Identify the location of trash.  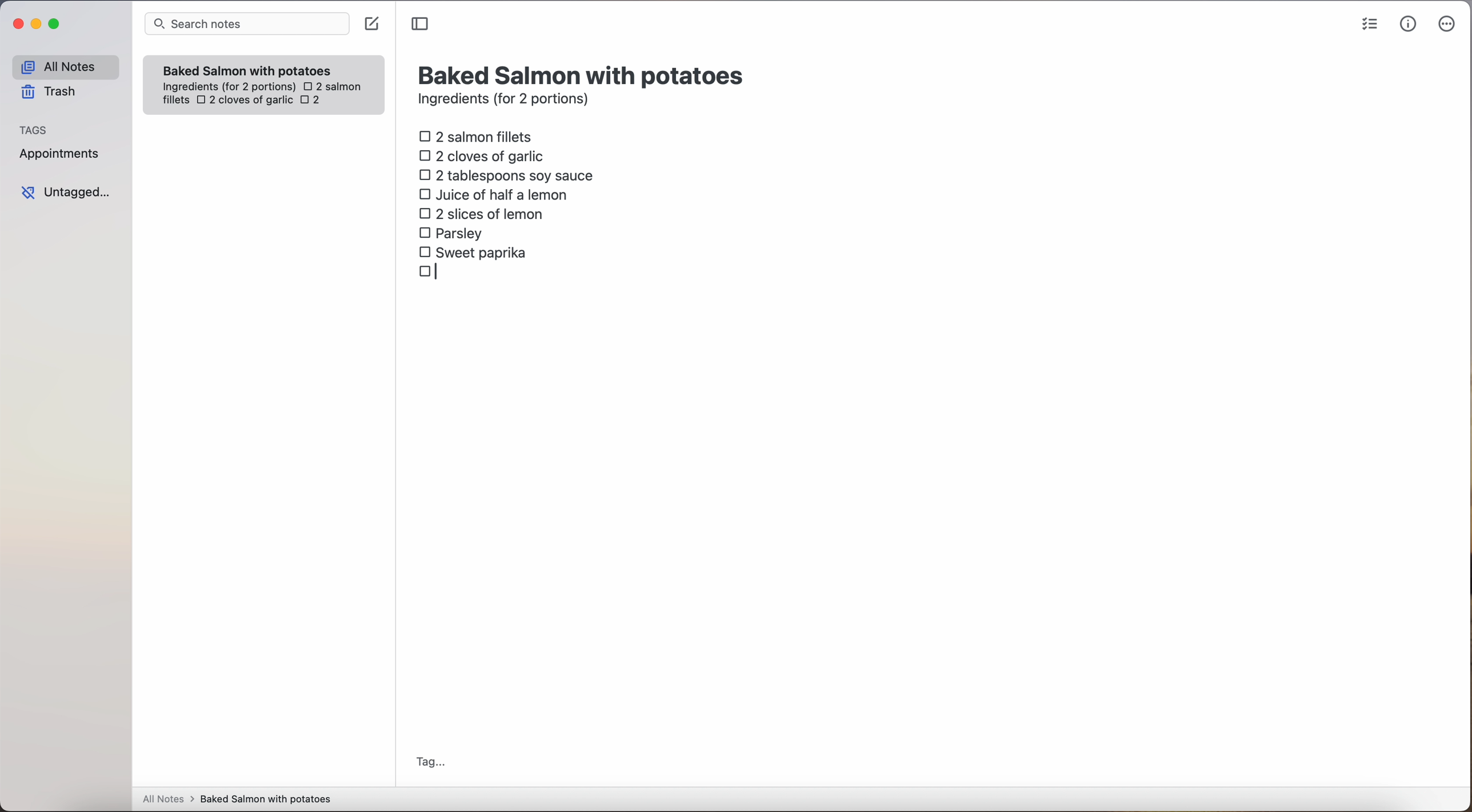
(53, 92).